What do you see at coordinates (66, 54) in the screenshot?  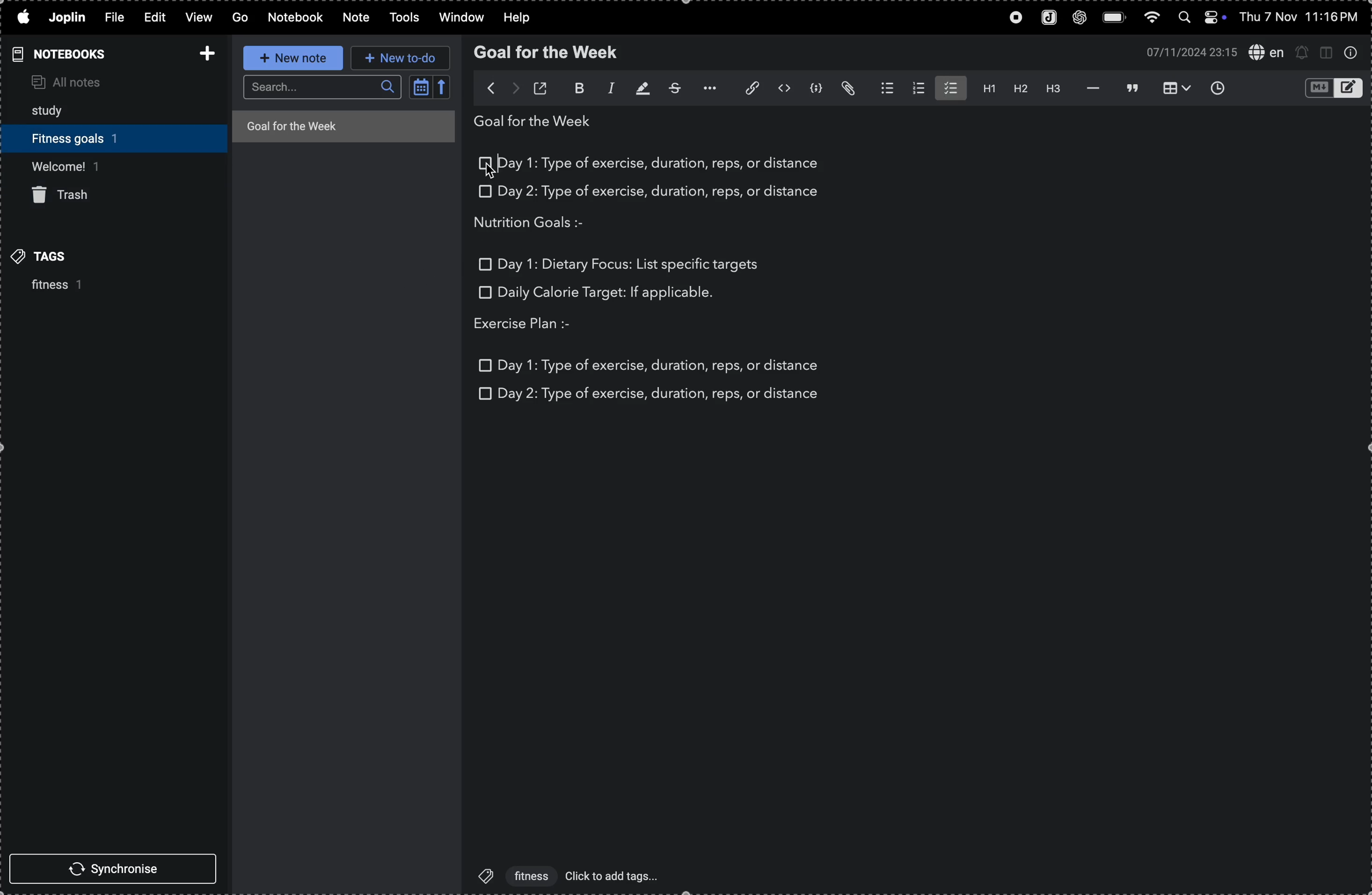 I see `notebooks` at bounding box center [66, 54].